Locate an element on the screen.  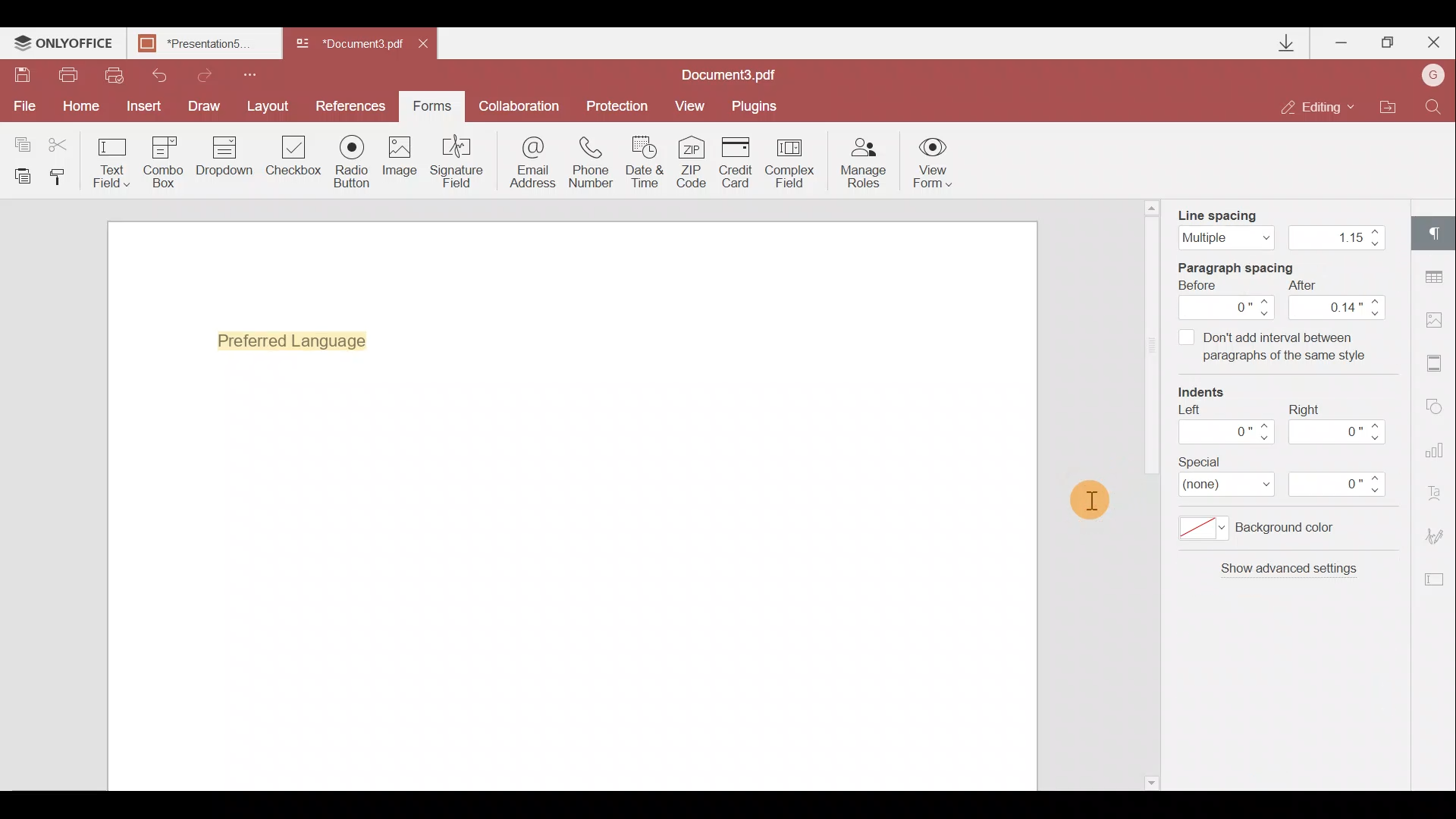
View is located at coordinates (690, 105).